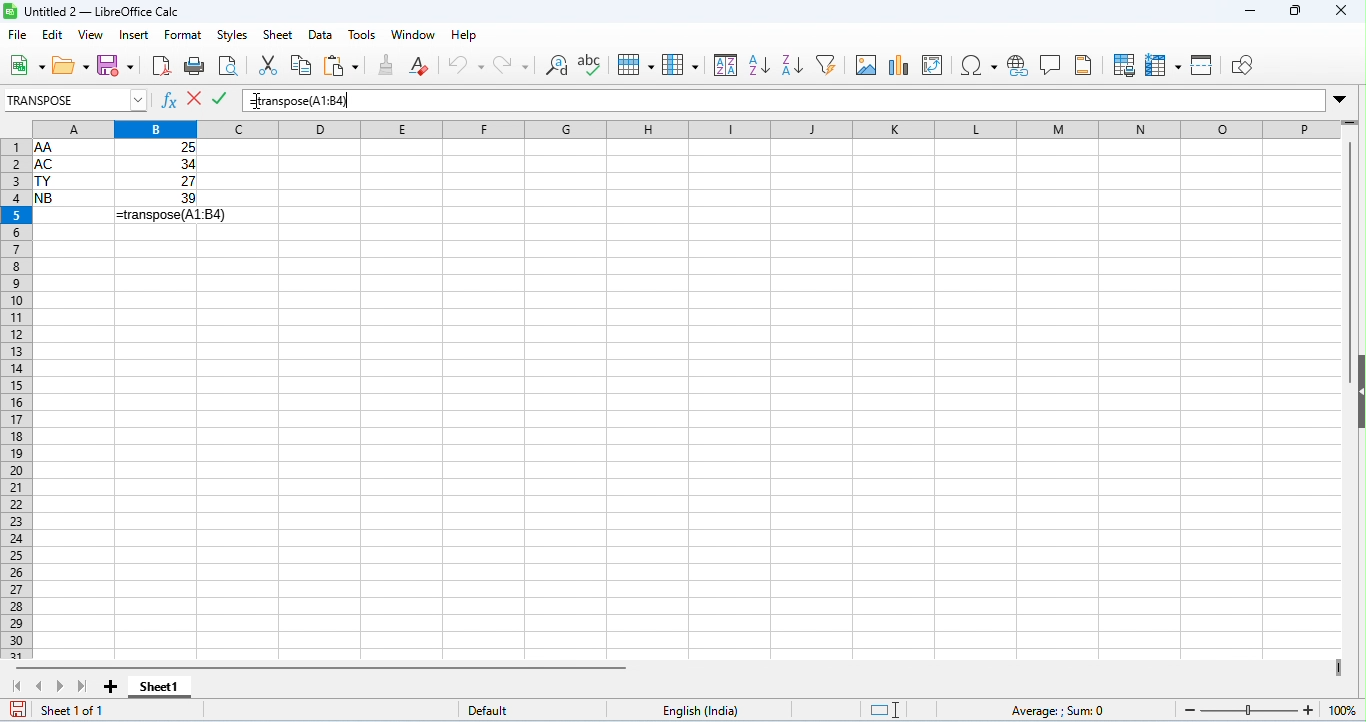 This screenshot has width=1366, height=722. What do you see at coordinates (727, 65) in the screenshot?
I see `sort` at bounding box center [727, 65].